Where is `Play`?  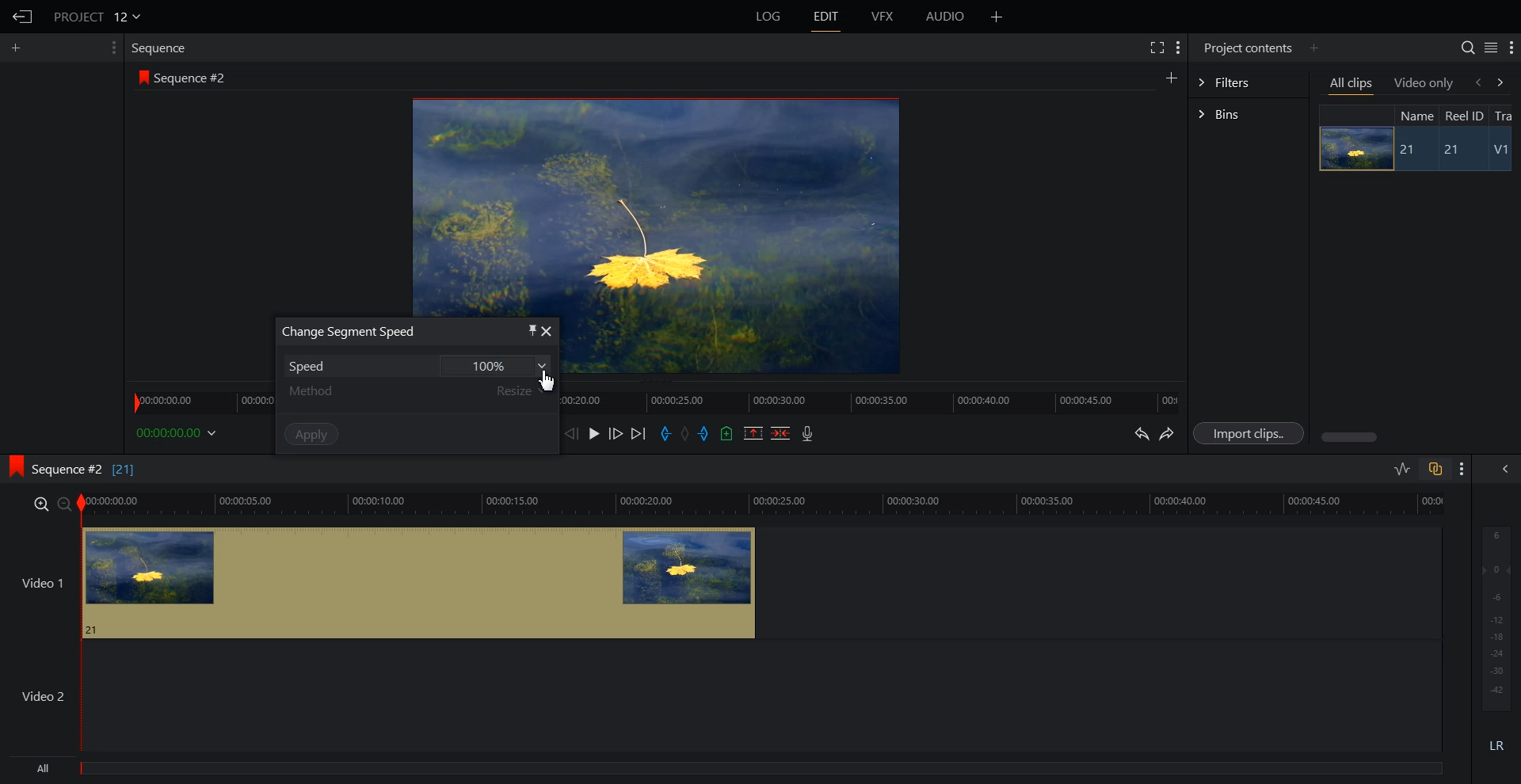 Play is located at coordinates (596, 433).